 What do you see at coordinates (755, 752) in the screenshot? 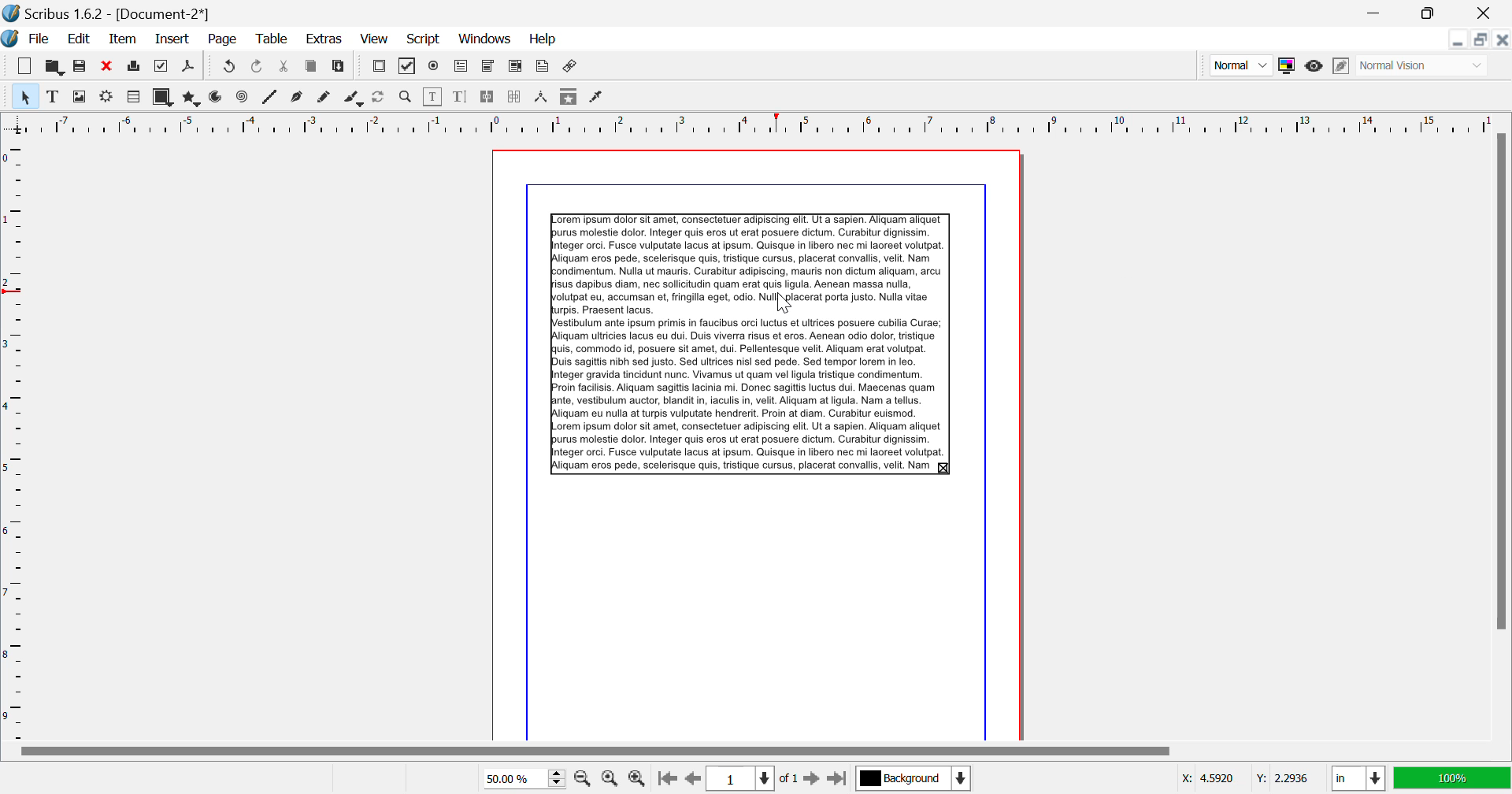
I see `Scroll Bar` at bounding box center [755, 752].